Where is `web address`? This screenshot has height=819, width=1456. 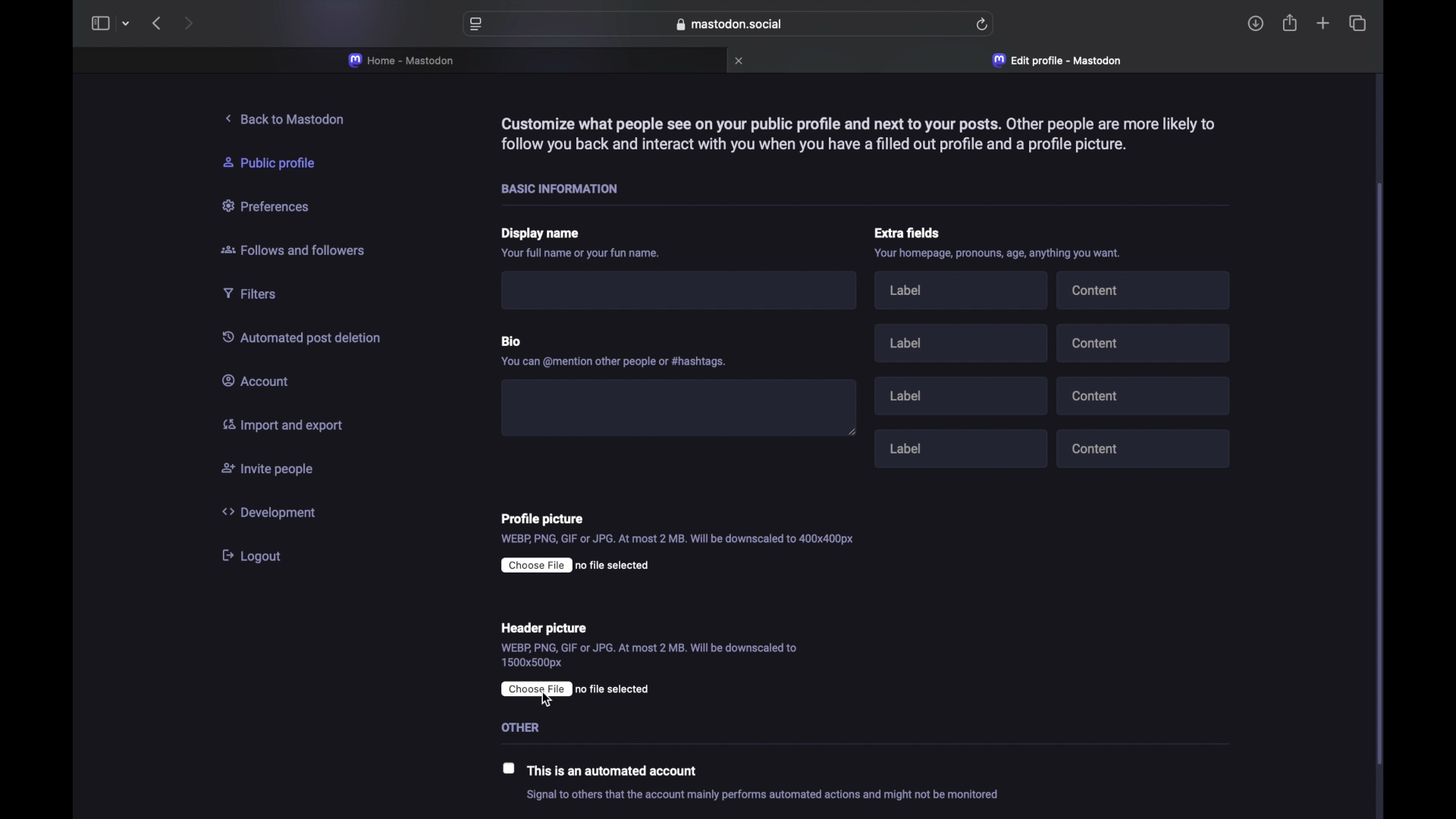 web address is located at coordinates (729, 24).